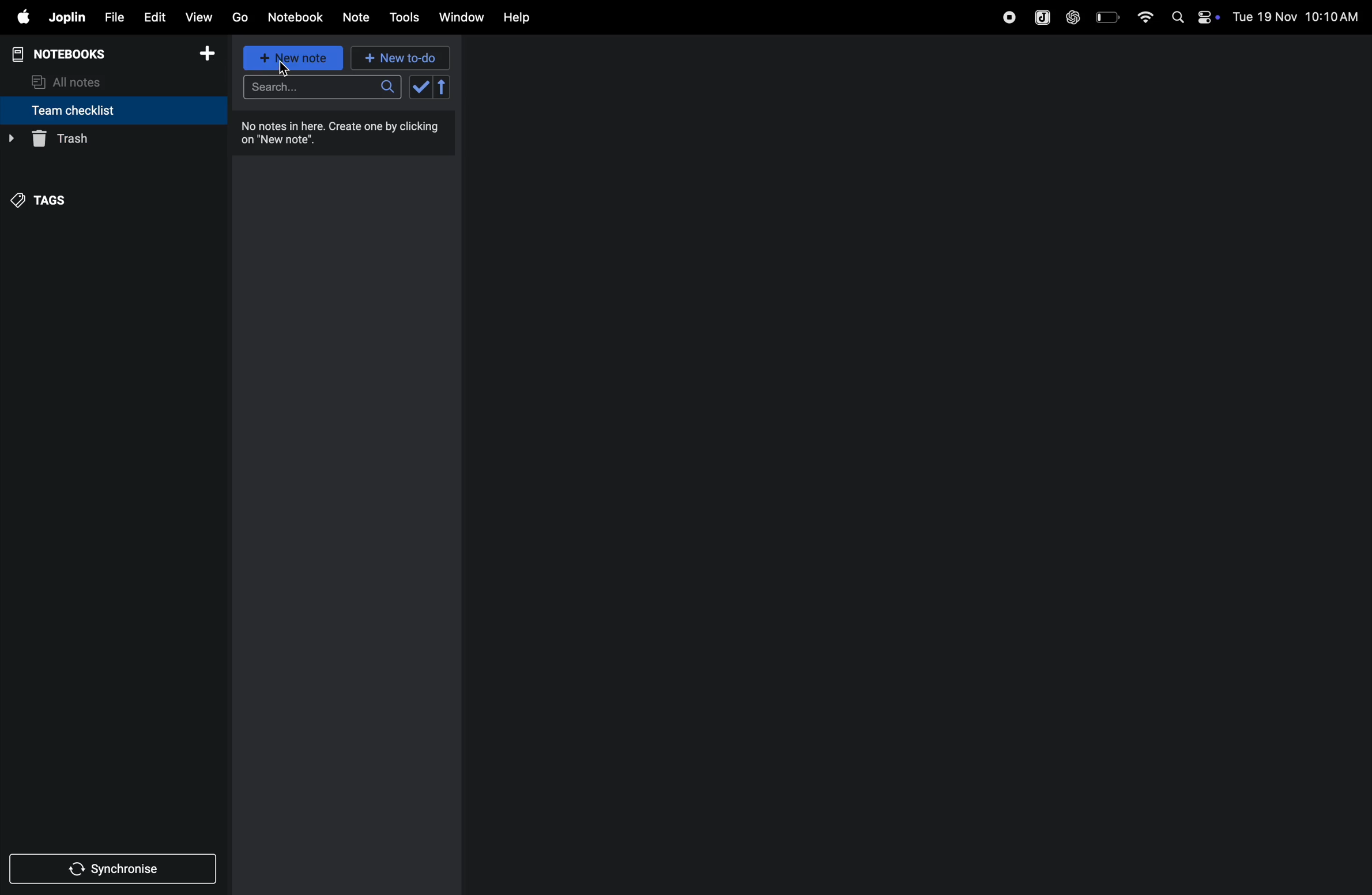 The height and width of the screenshot is (895, 1372). I want to click on tools, so click(406, 17).